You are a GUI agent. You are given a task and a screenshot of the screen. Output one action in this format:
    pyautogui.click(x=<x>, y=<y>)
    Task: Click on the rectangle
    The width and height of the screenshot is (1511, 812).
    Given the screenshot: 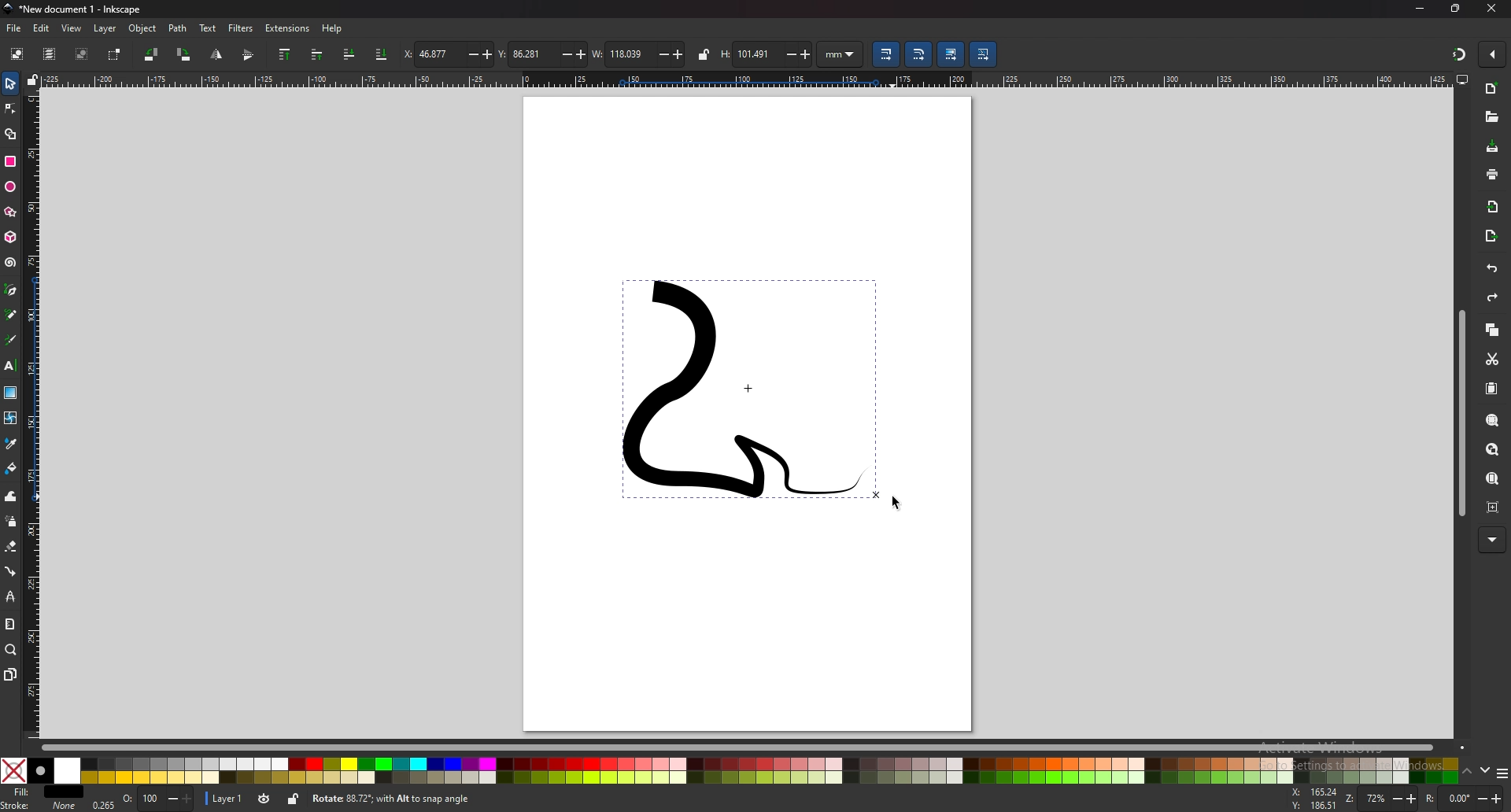 What is the action you would take?
    pyautogui.click(x=10, y=161)
    